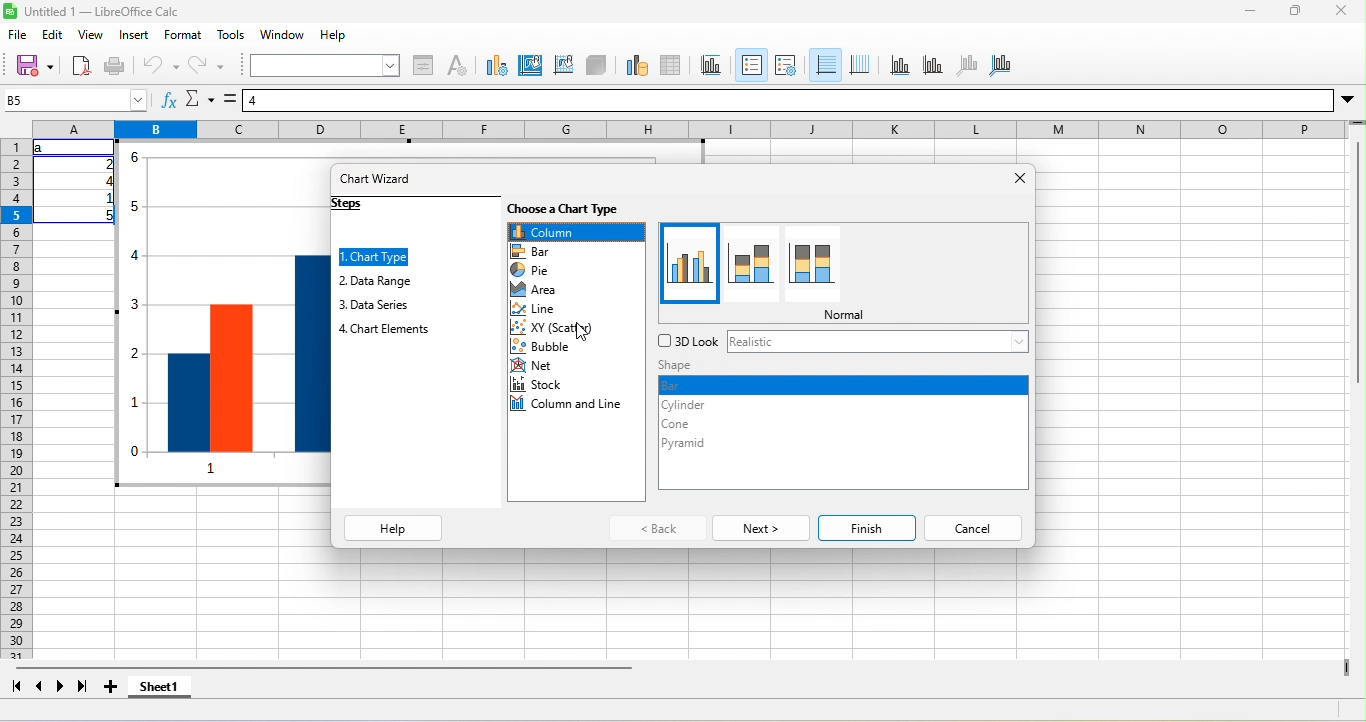 This screenshot has height=722, width=1366. Describe the element at coordinates (844, 314) in the screenshot. I see `normal` at that location.